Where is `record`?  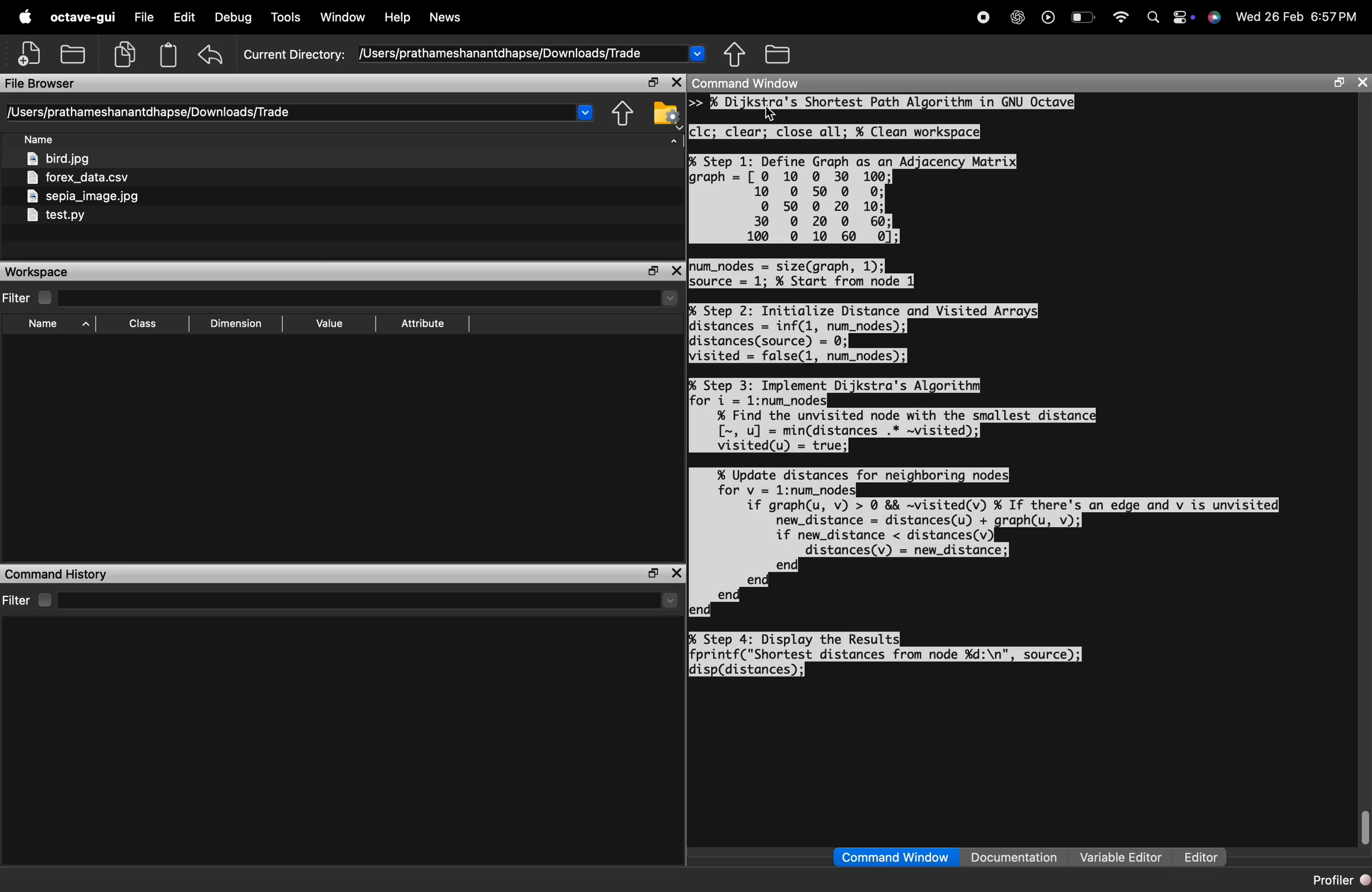 record is located at coordinates (985, 17).